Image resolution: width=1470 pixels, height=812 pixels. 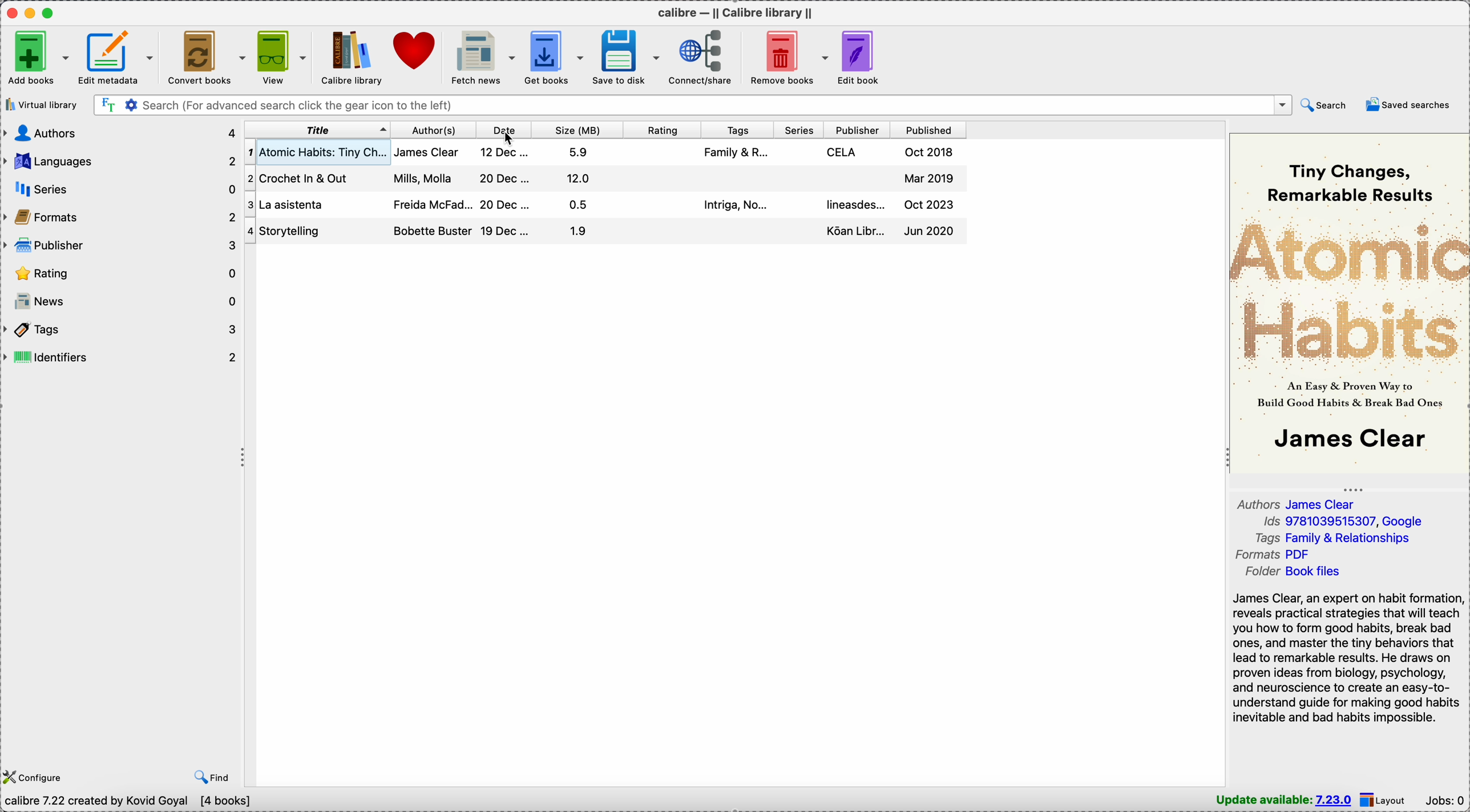 What do you see at coordinates (208, 56) in the screenshot?
I see `convert books` at bounding box center [208, 56].